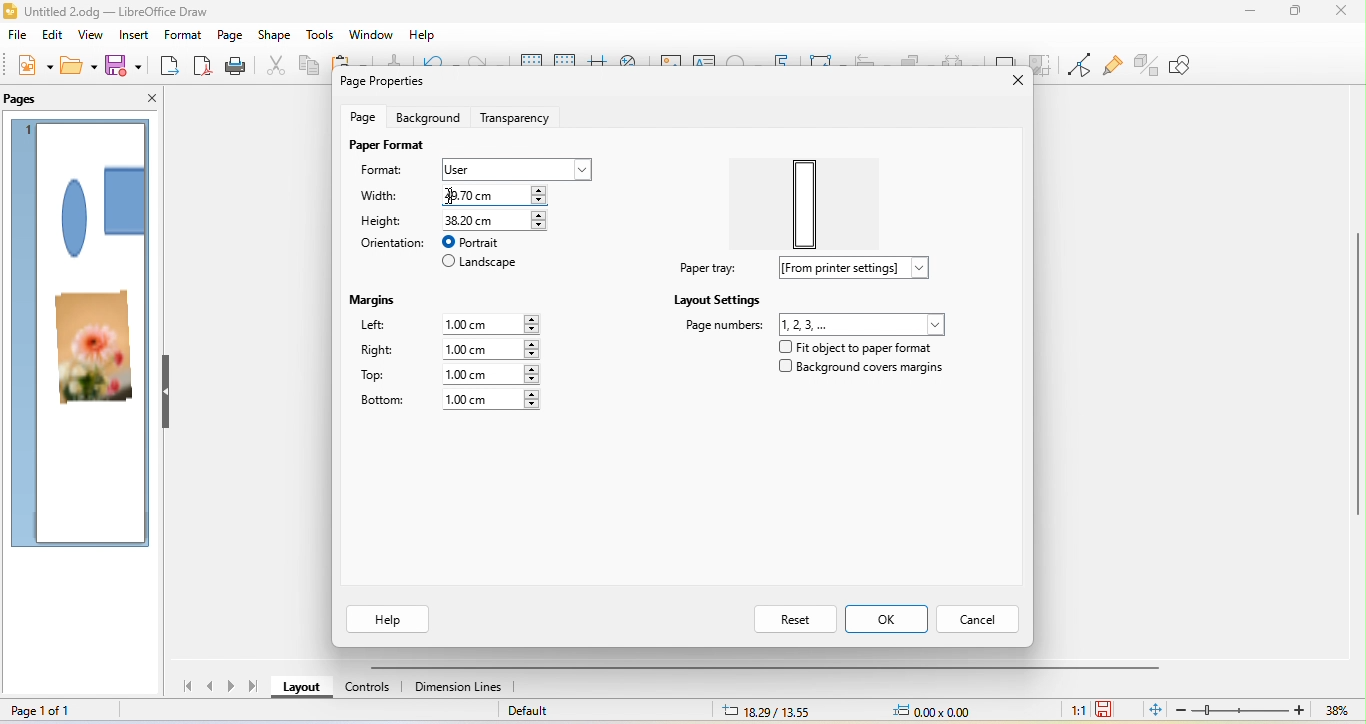 The width and height of the screenshot is (1366, 724). Describe the element at coordinates (701, 269) in the screenshot. I see `paper tray` at that location.